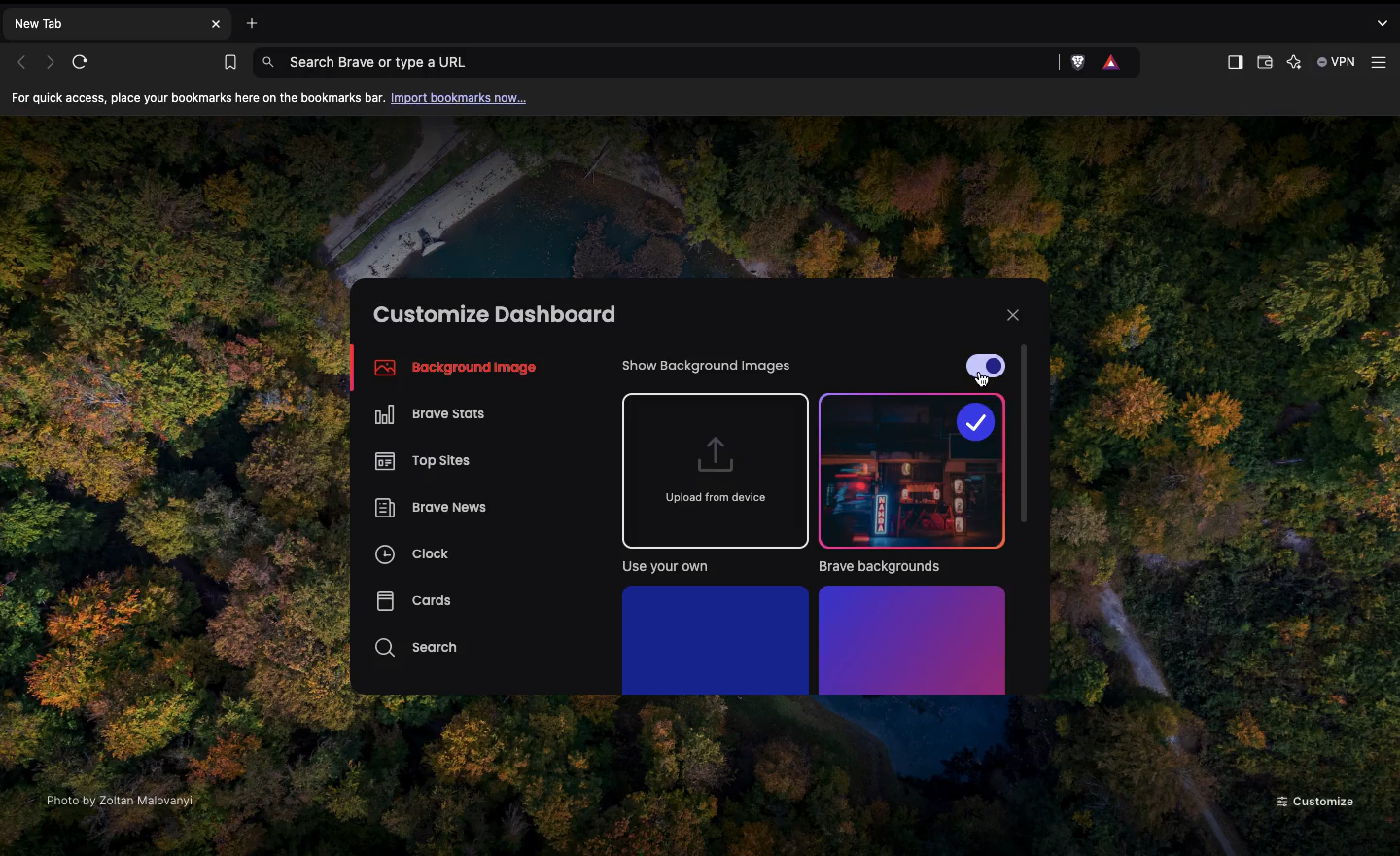 The width and height of the screenshot is (1400, 856). What do you see at coordinates (226, 63) in the screenshot?
I see `Bookmarks` at bounding box center [226, 63].